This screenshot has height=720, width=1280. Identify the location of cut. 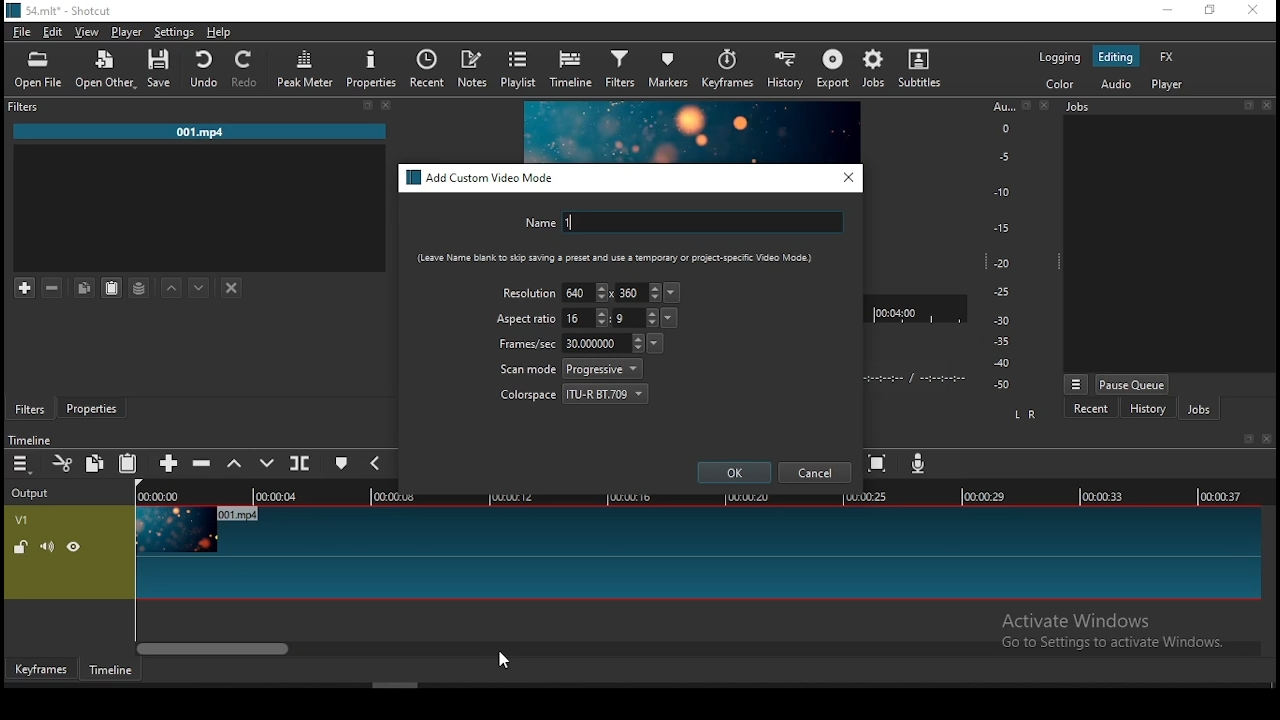
(63, 463).